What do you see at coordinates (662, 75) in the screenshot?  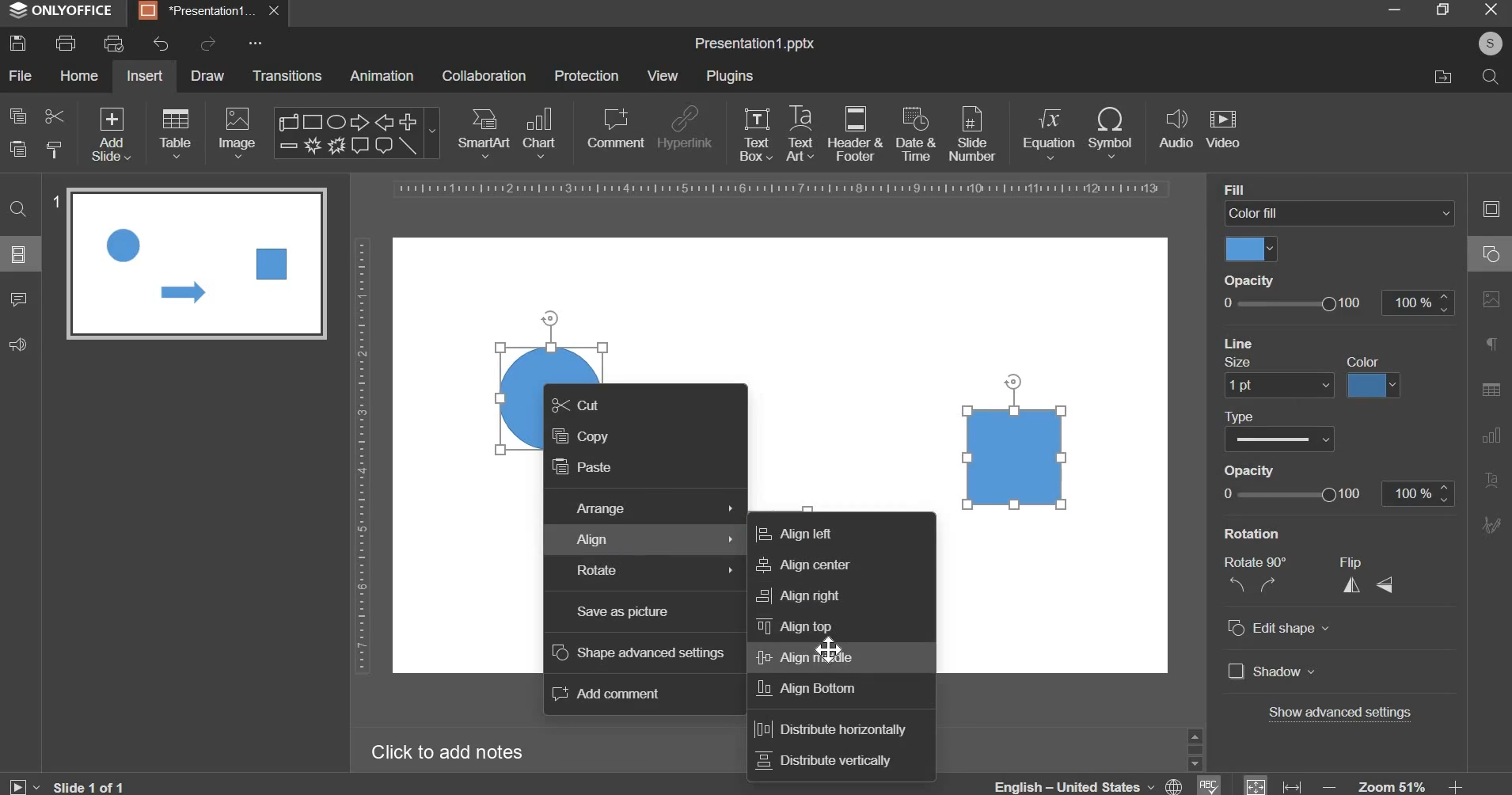 I see `view` at bounding box center [662, 75].